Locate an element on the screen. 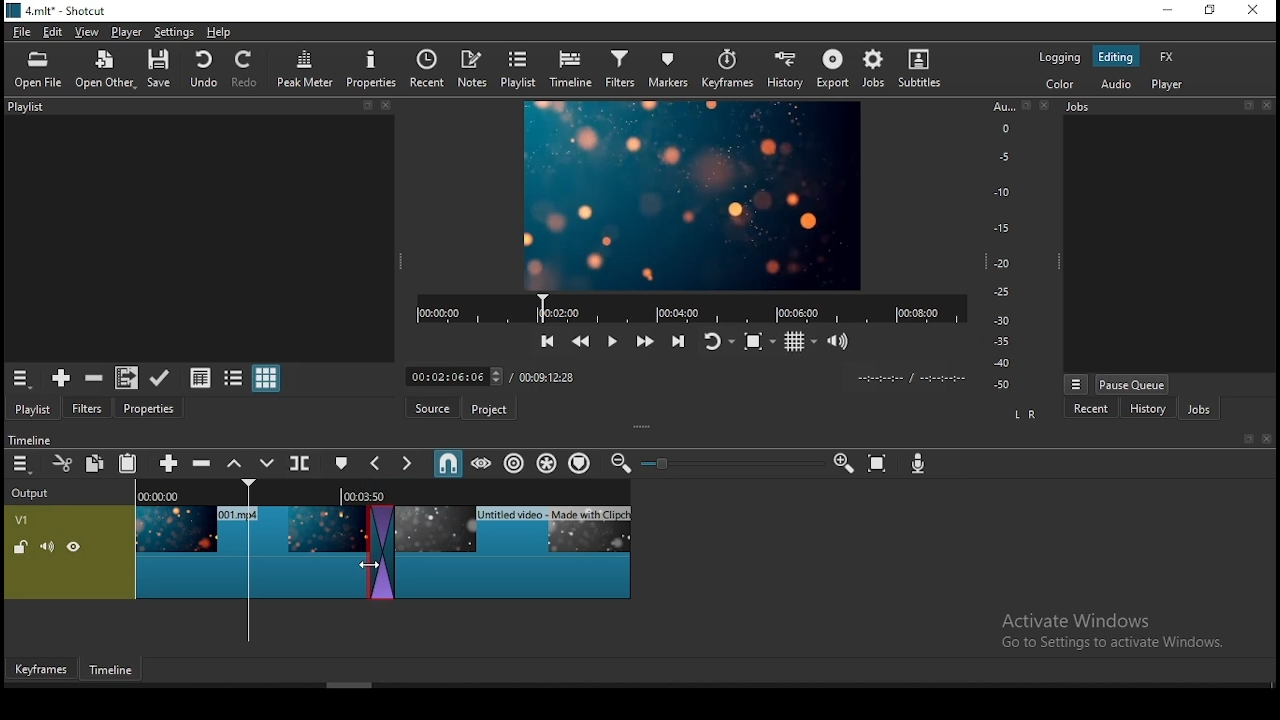  zoom in or zoom out slider is located at coordinates (725, 463).